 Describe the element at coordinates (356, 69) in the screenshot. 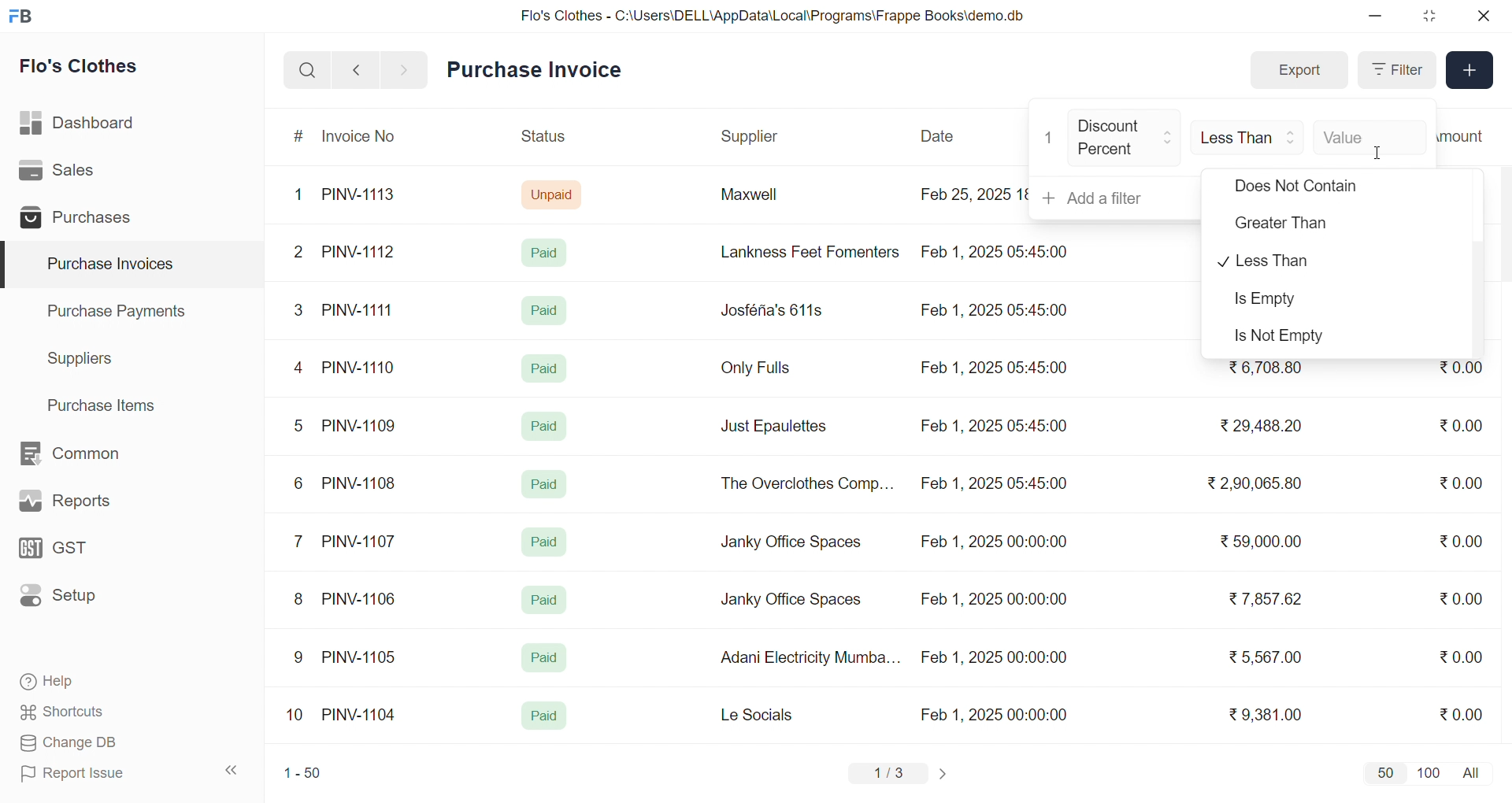

I see `navigate backward` at that location.